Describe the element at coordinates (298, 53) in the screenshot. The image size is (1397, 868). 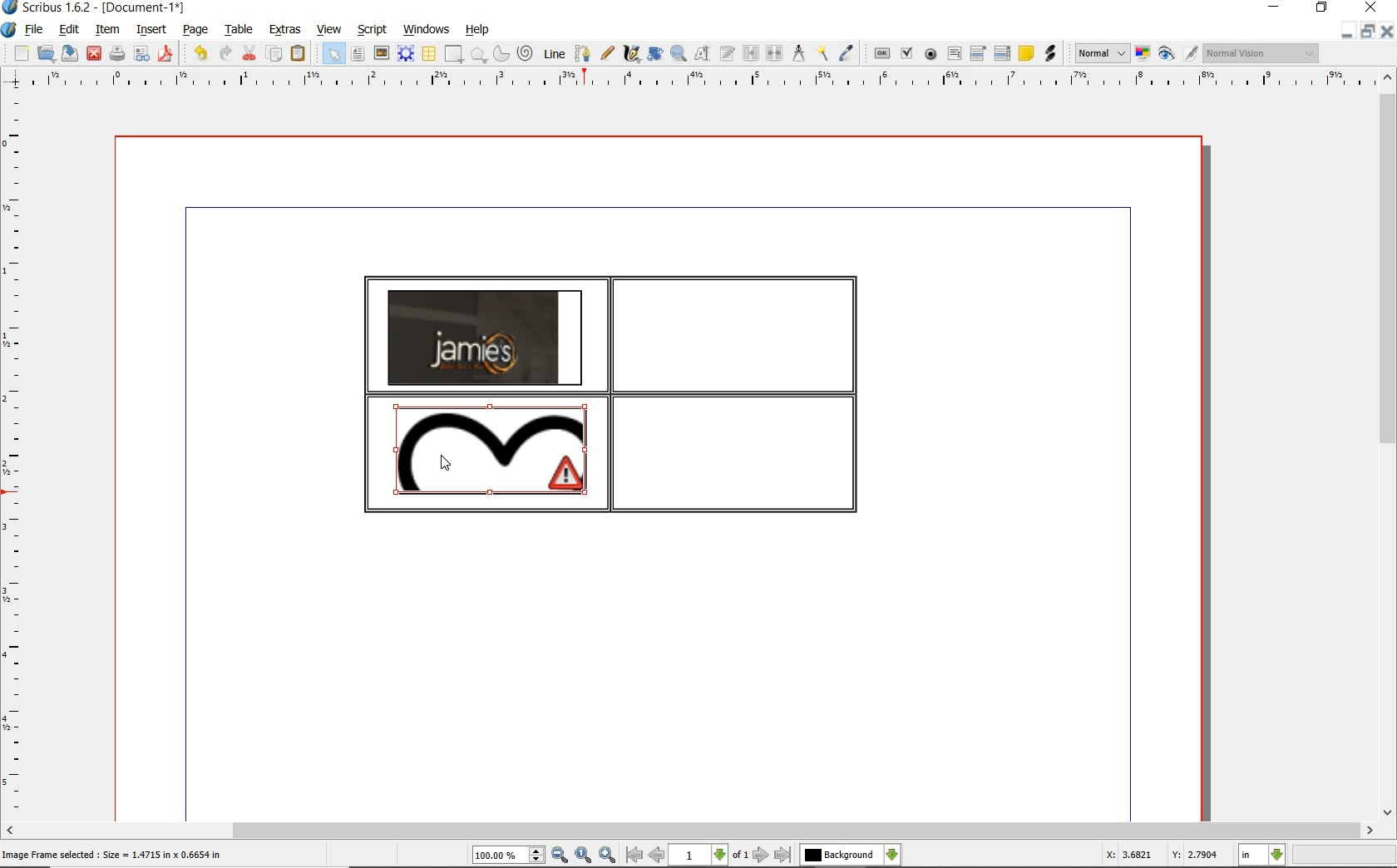
I see `paste` at that location.